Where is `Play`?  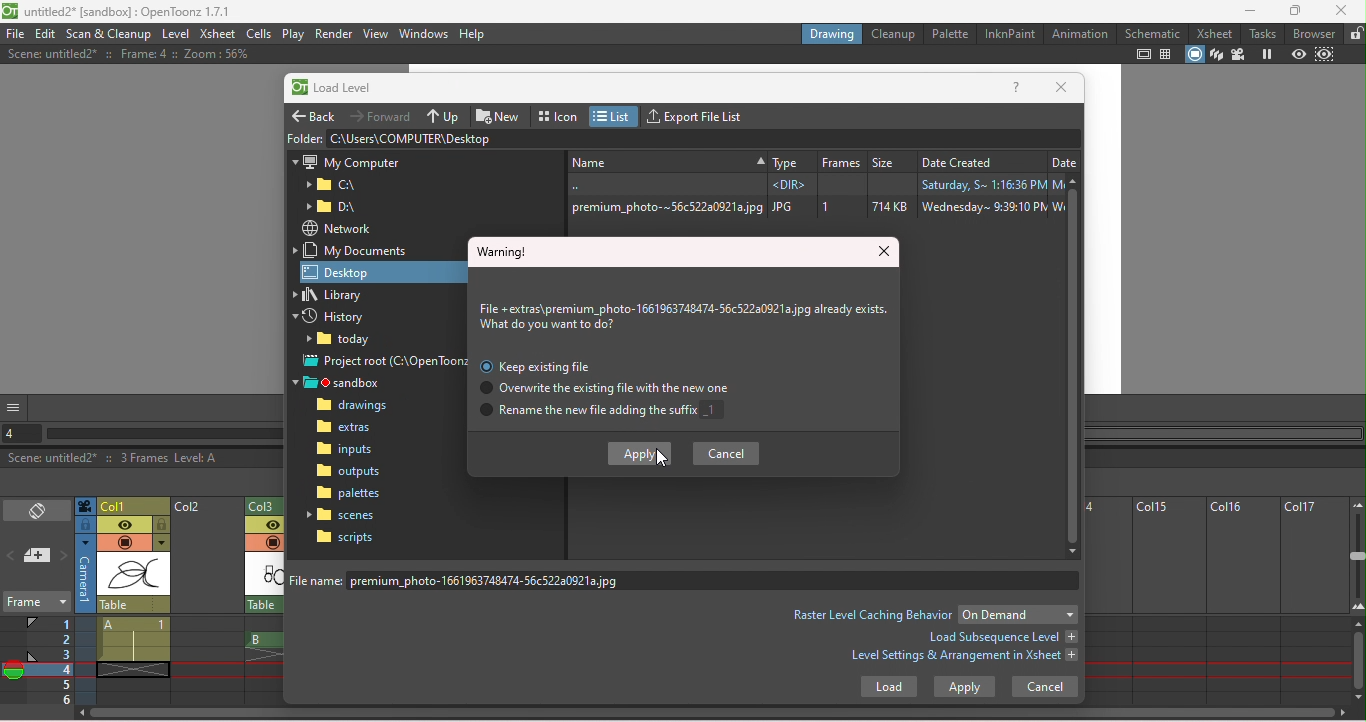
Play is located at coordinates (293, 34).